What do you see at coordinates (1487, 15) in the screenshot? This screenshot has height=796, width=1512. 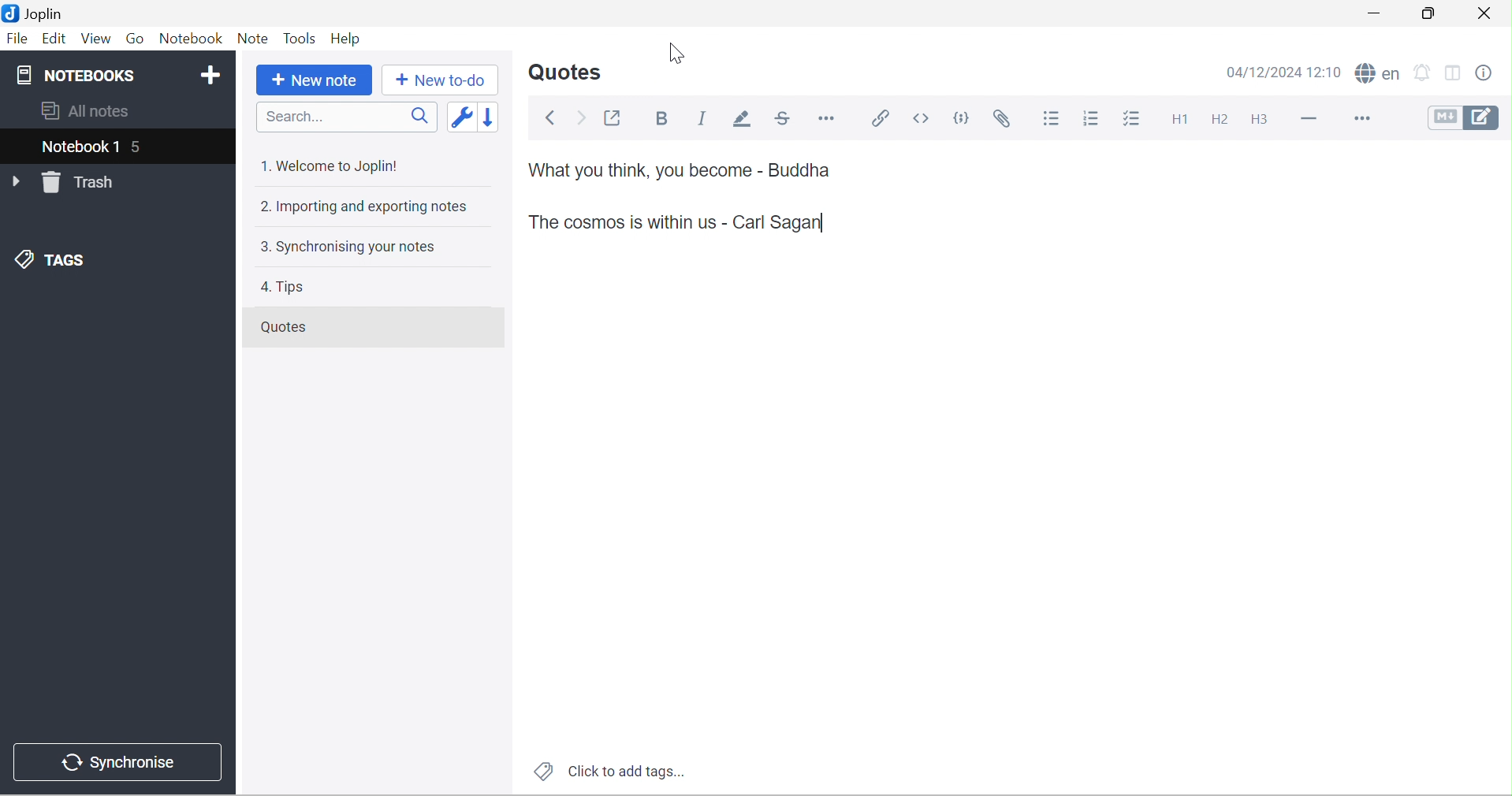 I see `Close` at bounding box center [1487, 15].